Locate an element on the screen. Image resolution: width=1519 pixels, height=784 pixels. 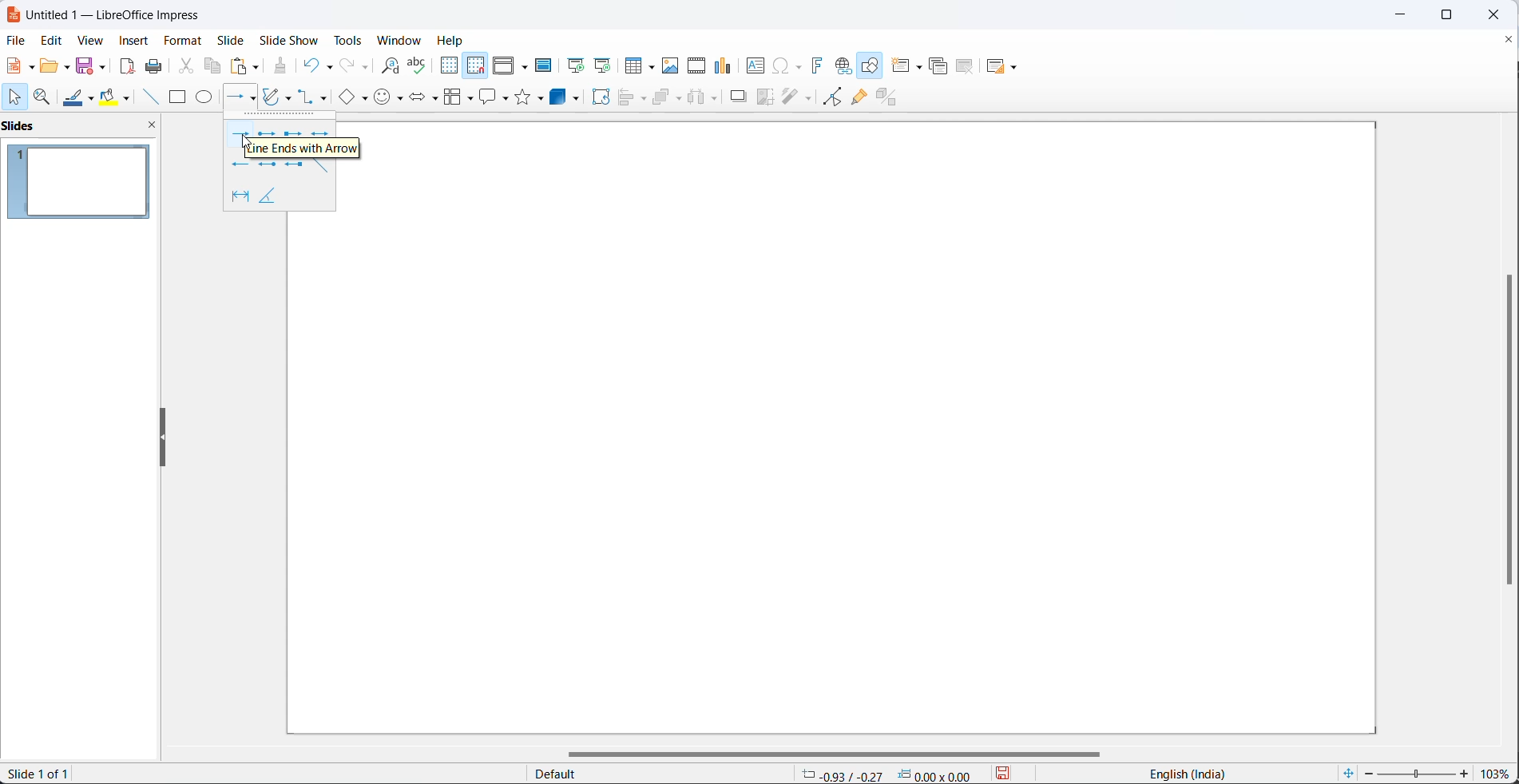
slide layout is located at coordinates (1003, 66).